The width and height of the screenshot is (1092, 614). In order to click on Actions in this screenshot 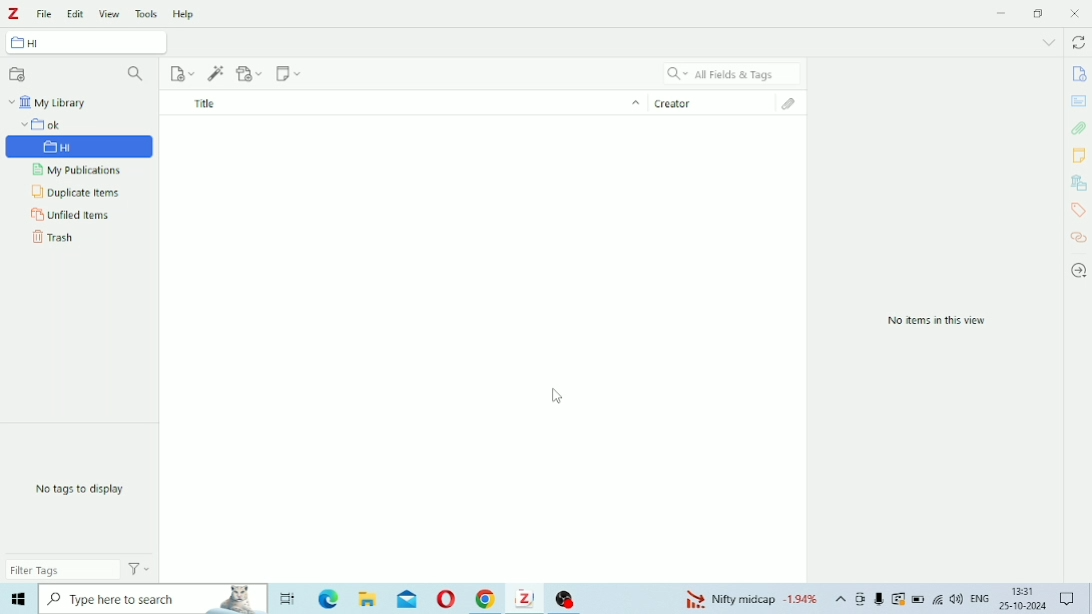, I will do `click(139, 568)`.